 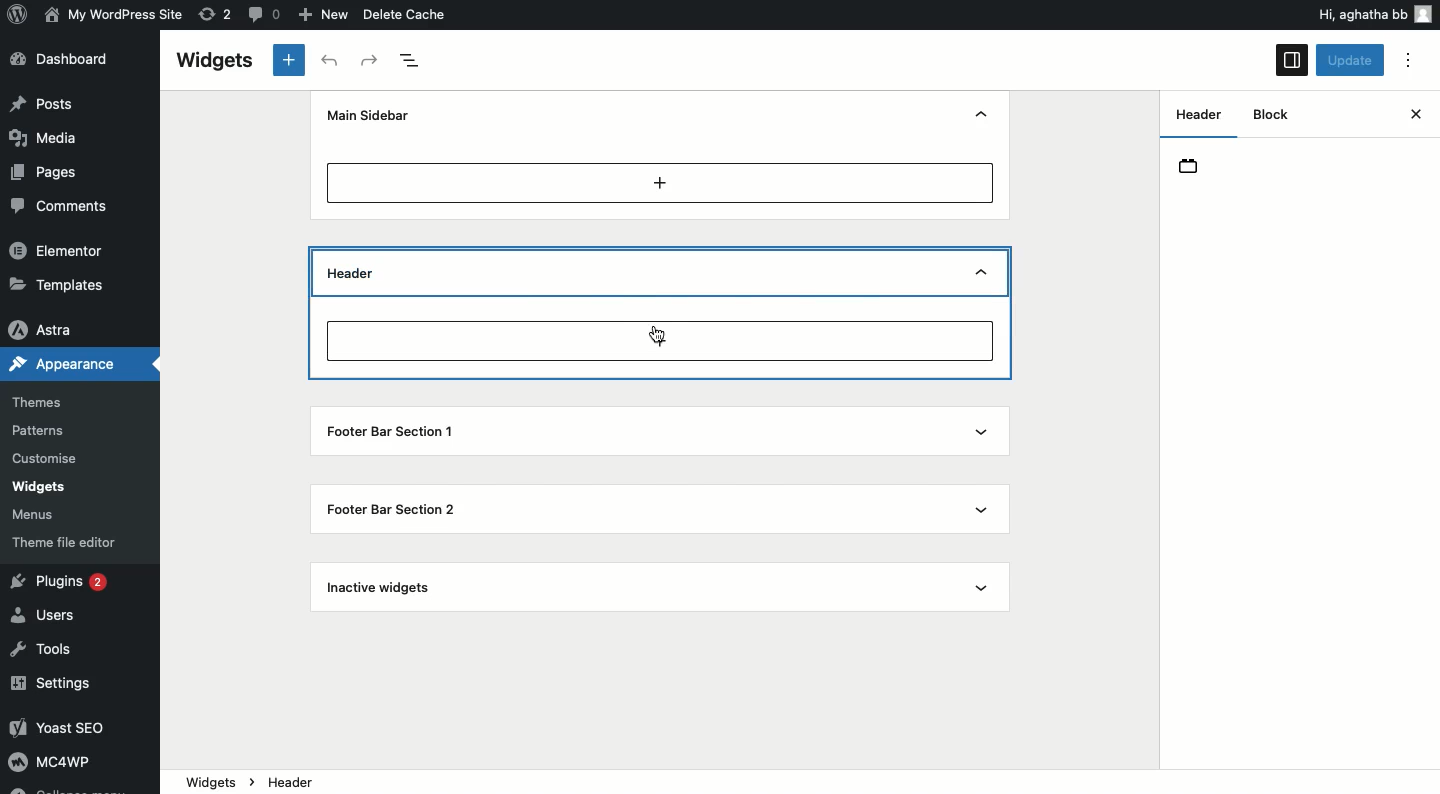 What do you see at coordinates (48, 613) in the screenshot?
I see `Users` at bounding box center [48, 613].